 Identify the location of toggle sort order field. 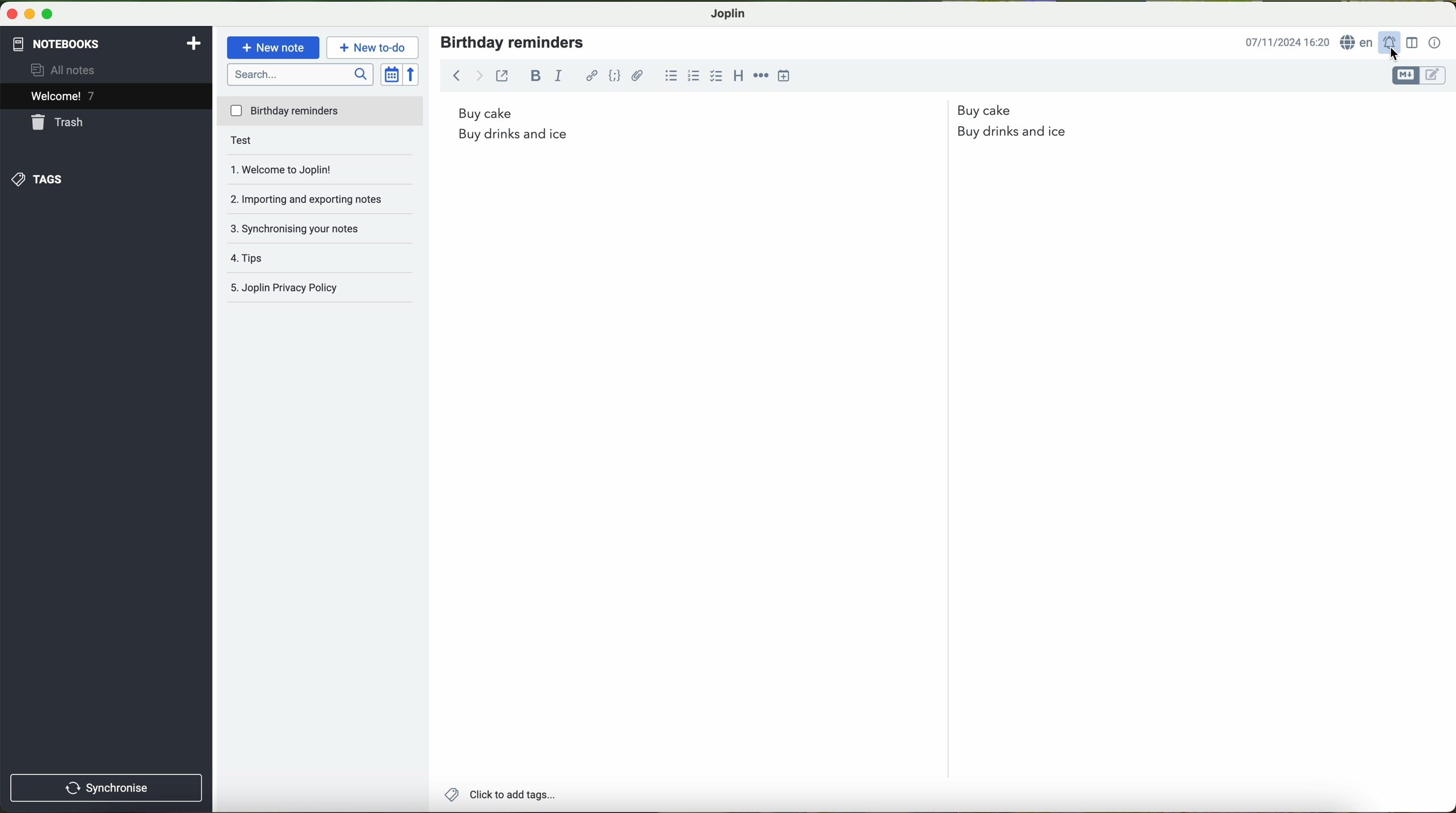
(391, 74).